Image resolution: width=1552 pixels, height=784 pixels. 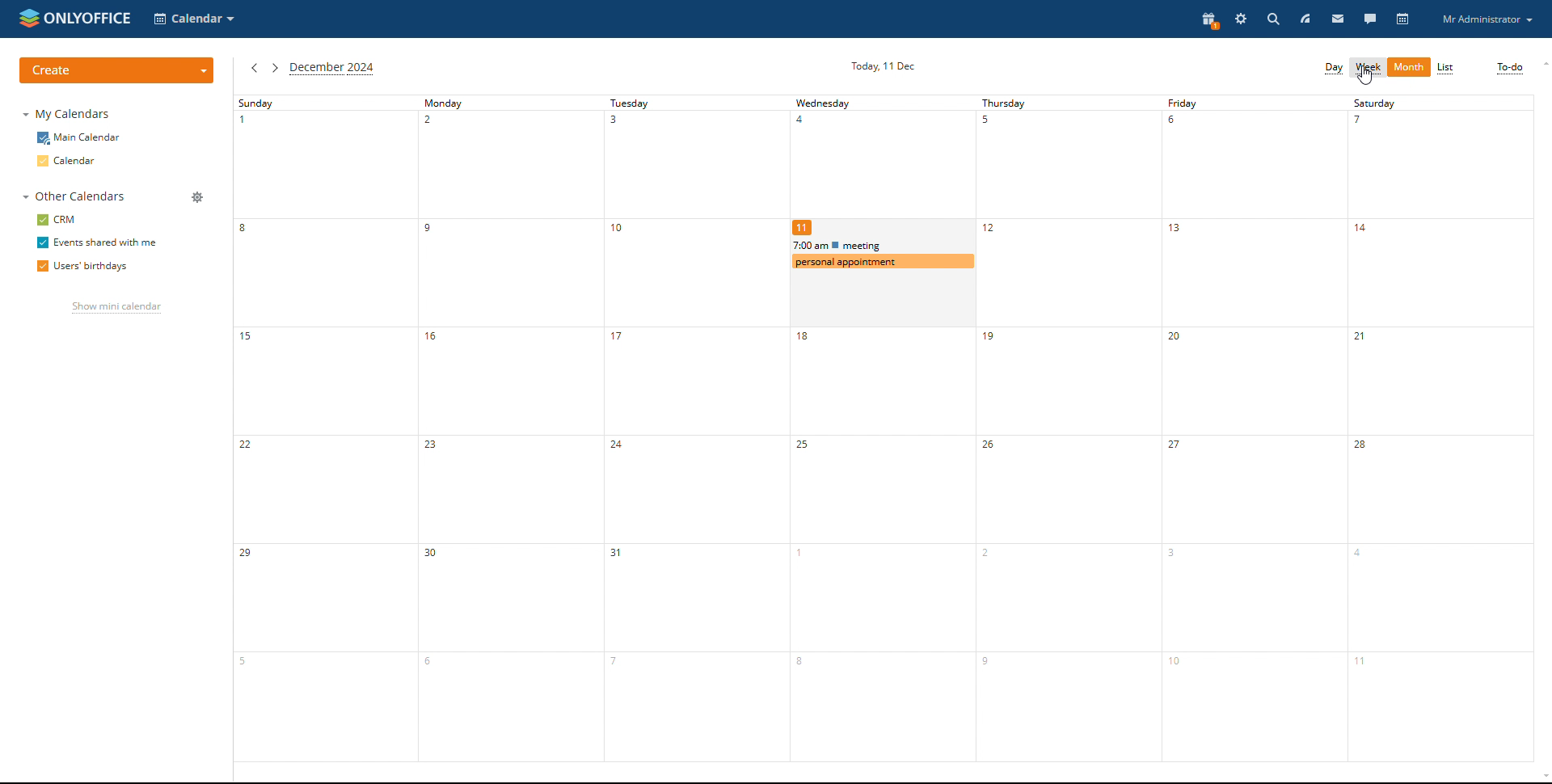 What do you see at coordinates (70, 161) in the screenshot?
I see `calendar` at bounding box center [70, 161].